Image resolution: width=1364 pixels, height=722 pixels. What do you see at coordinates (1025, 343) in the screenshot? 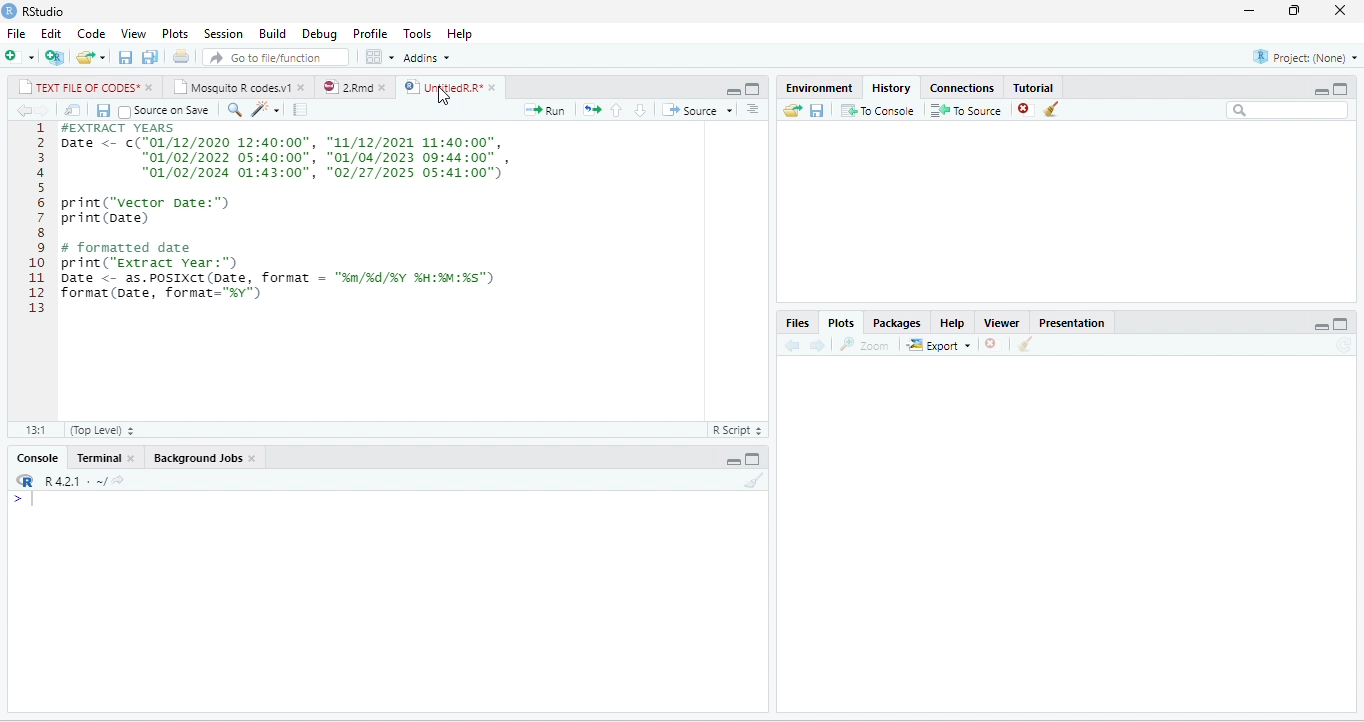
I see `clear` at bounding box center [1025, 343].